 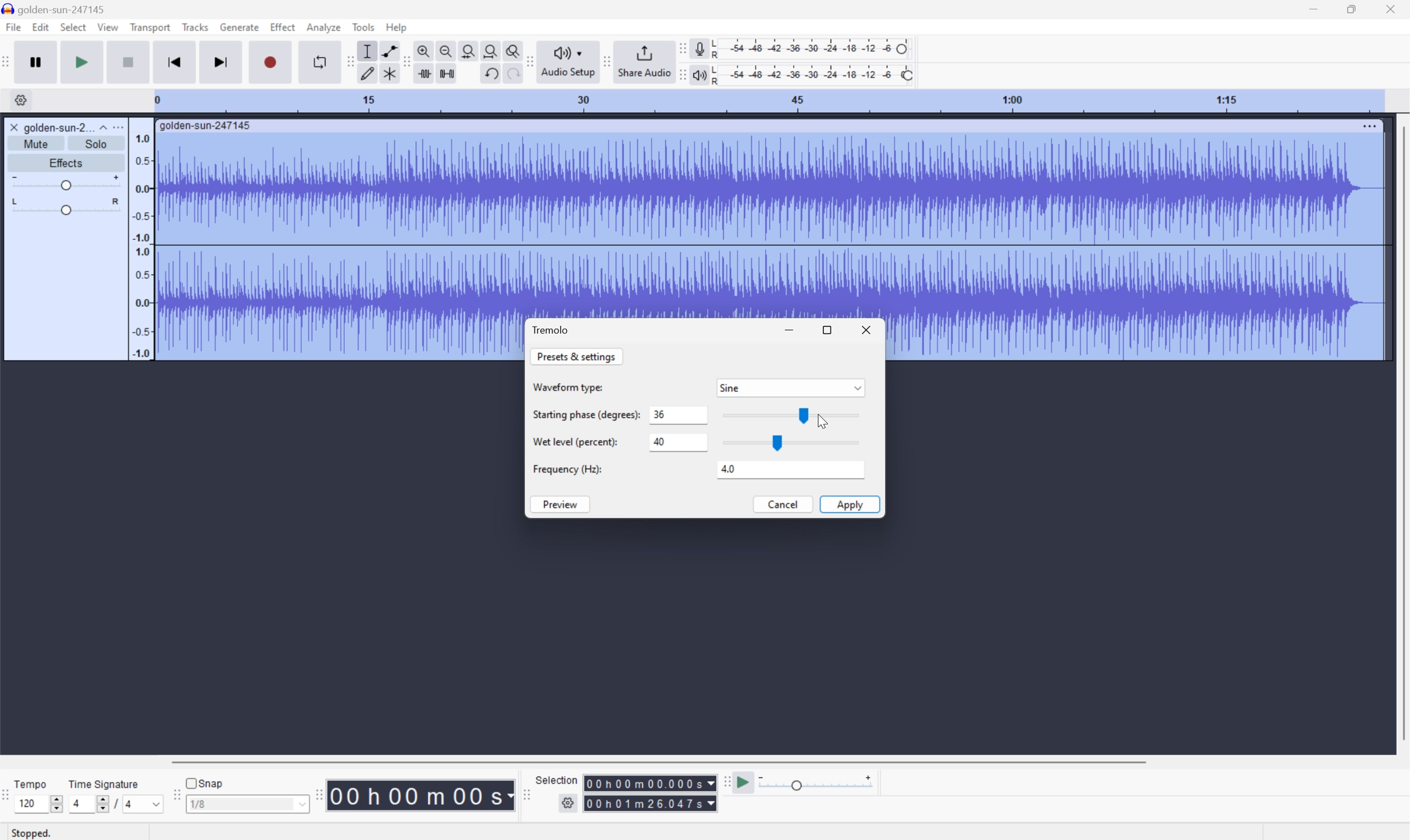 What do you see at coordinates (31, 783) in the screenshot?
I see `Tempo` at bounding box center [31, 783].